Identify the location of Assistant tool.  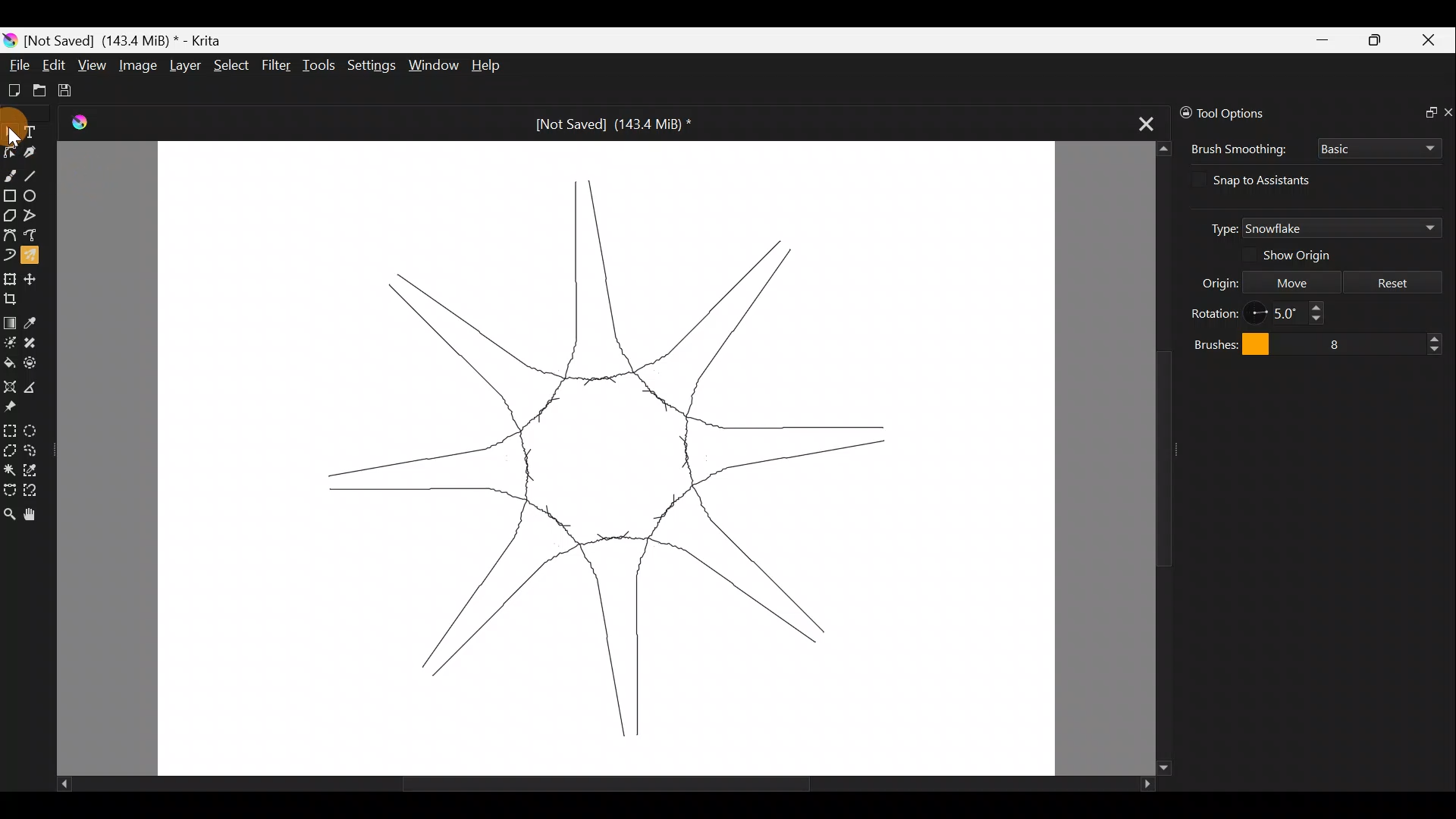
(11, 387).